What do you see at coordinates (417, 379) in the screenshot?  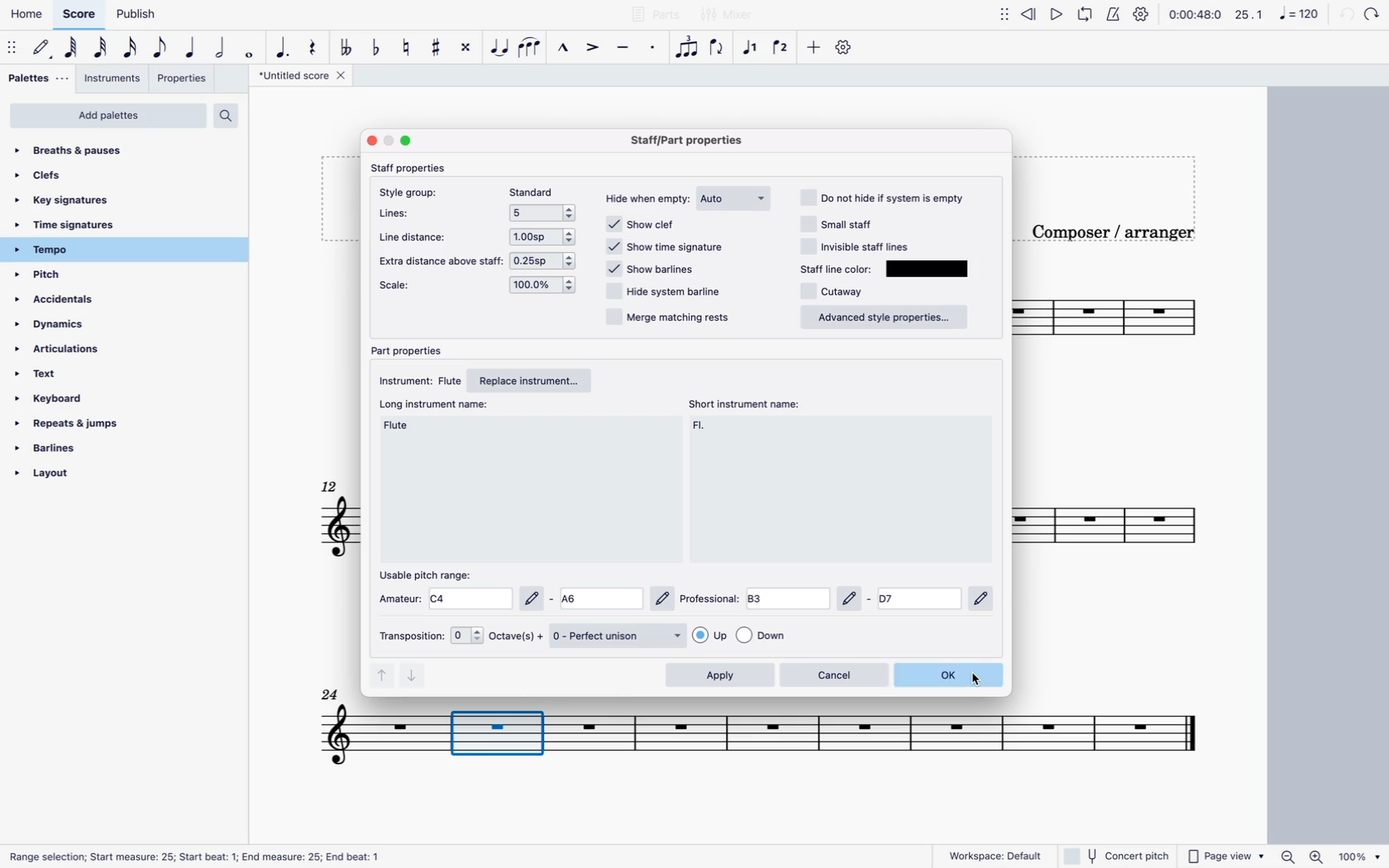 I see `instrument` at bounding box center [417, 379].